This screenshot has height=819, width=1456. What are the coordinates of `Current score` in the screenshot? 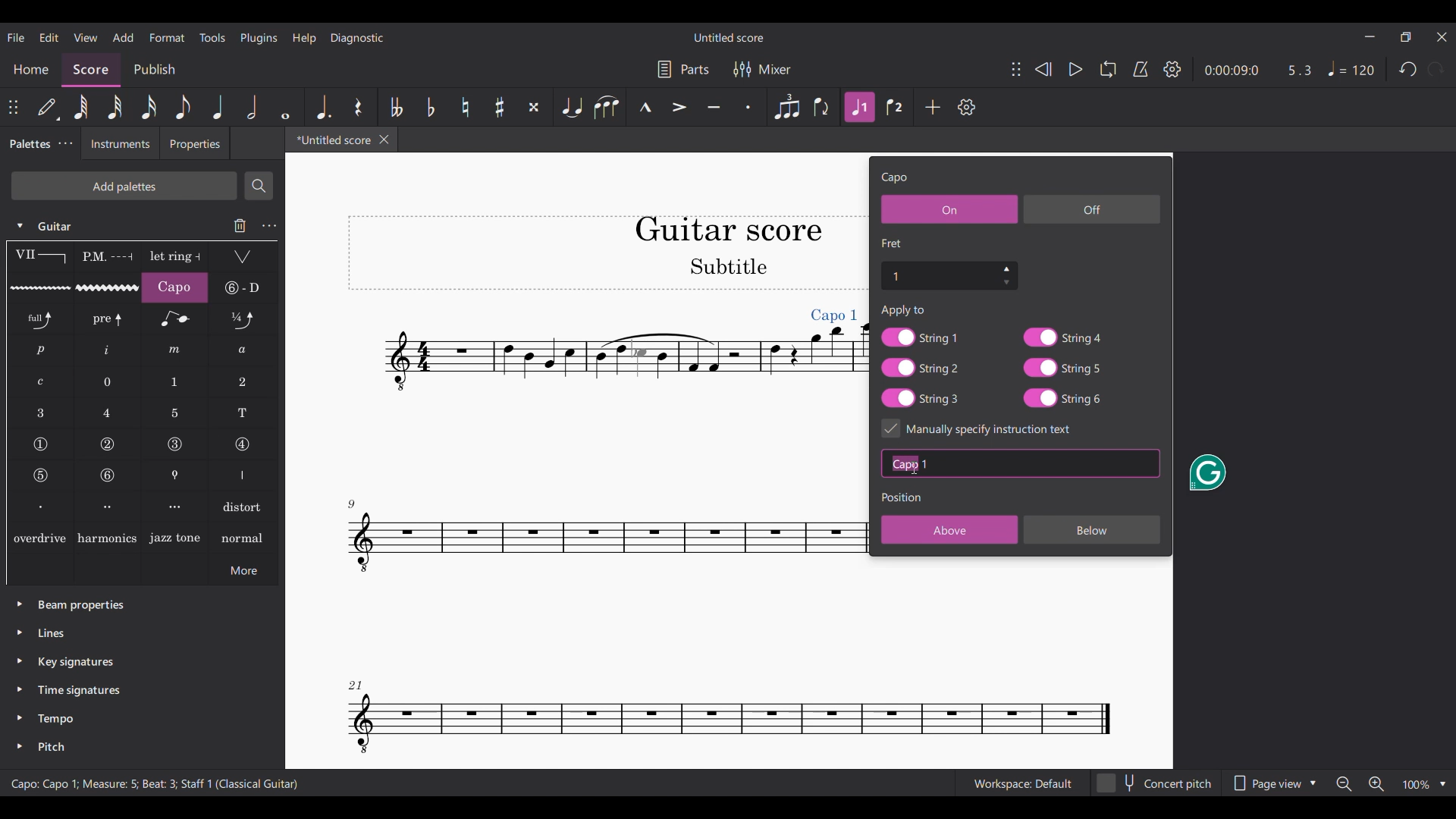 It's located at (546, 460).